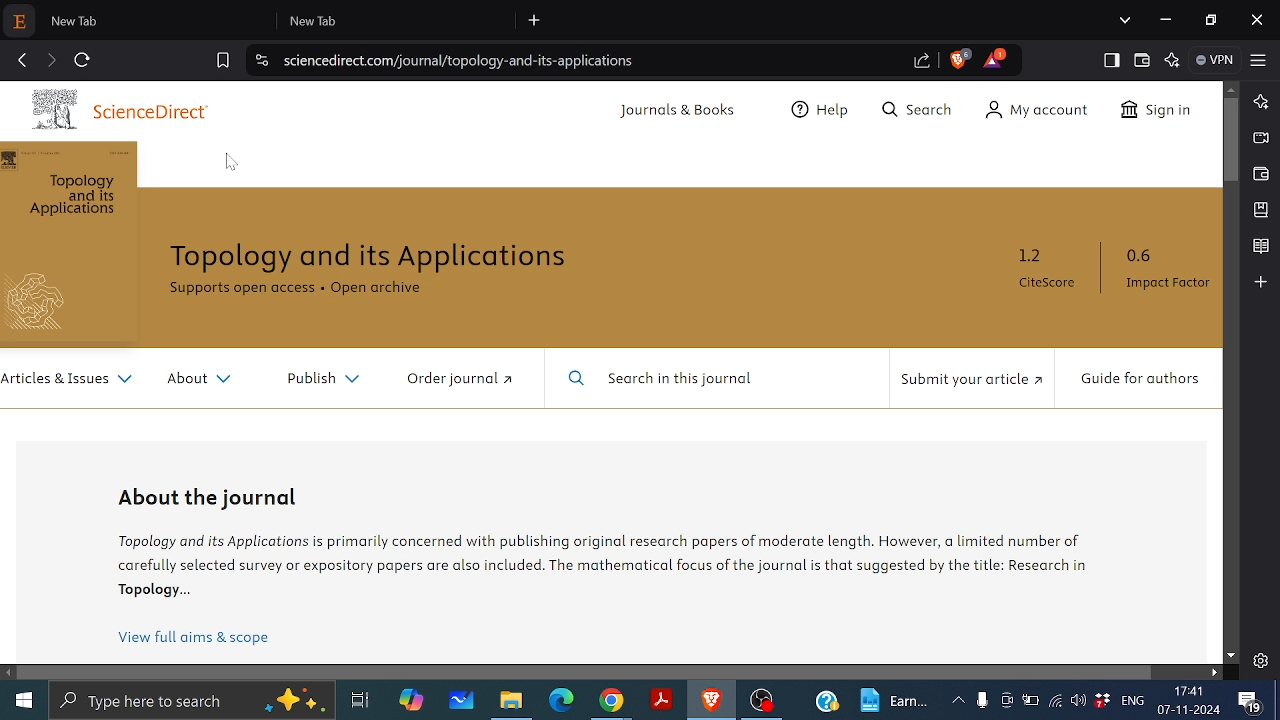  What do you see at coordinates (659, 701) in the screenshot?
I see `Adobe` at bounding box center [659, 701].